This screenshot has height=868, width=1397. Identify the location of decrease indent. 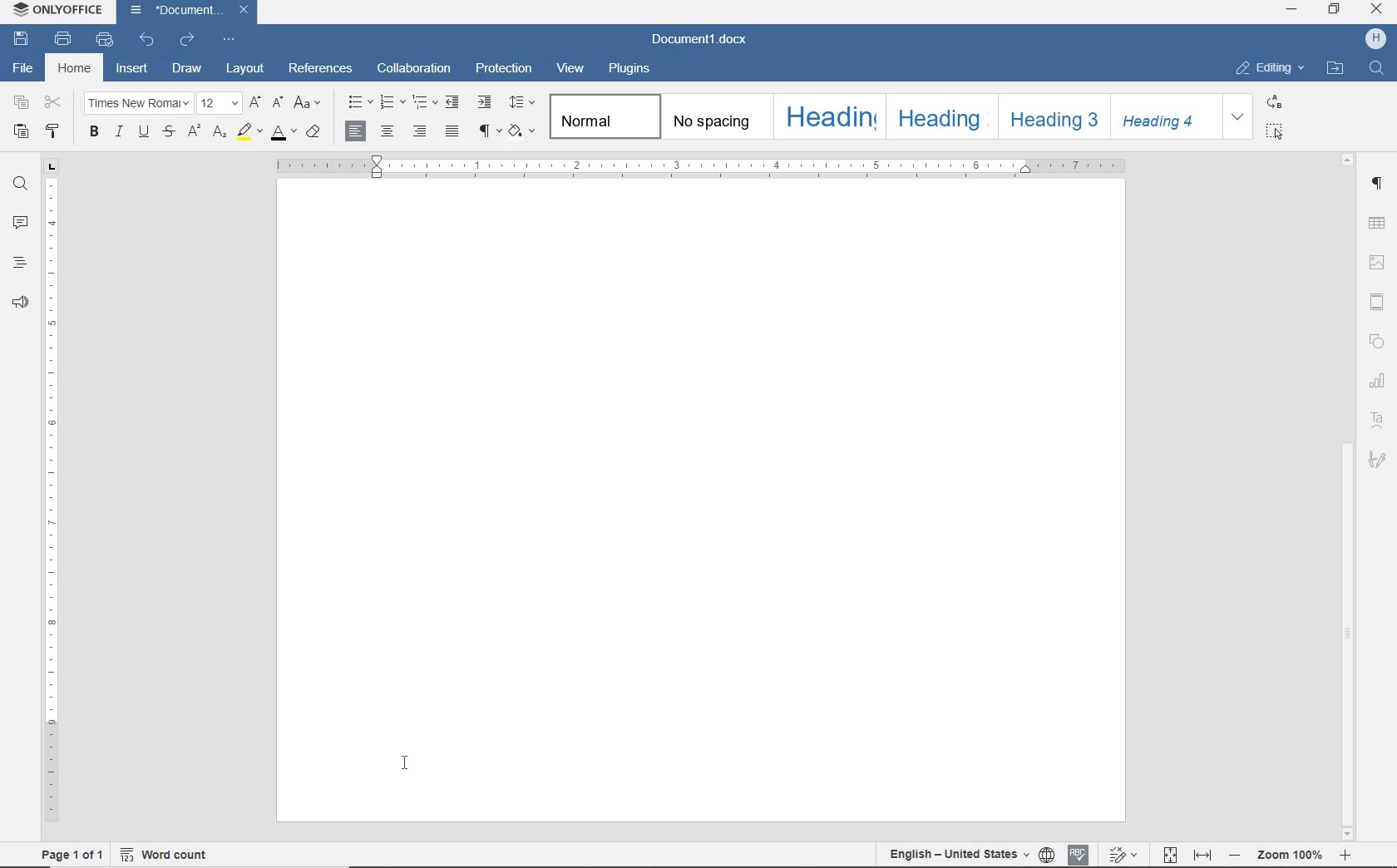
(453, 103).